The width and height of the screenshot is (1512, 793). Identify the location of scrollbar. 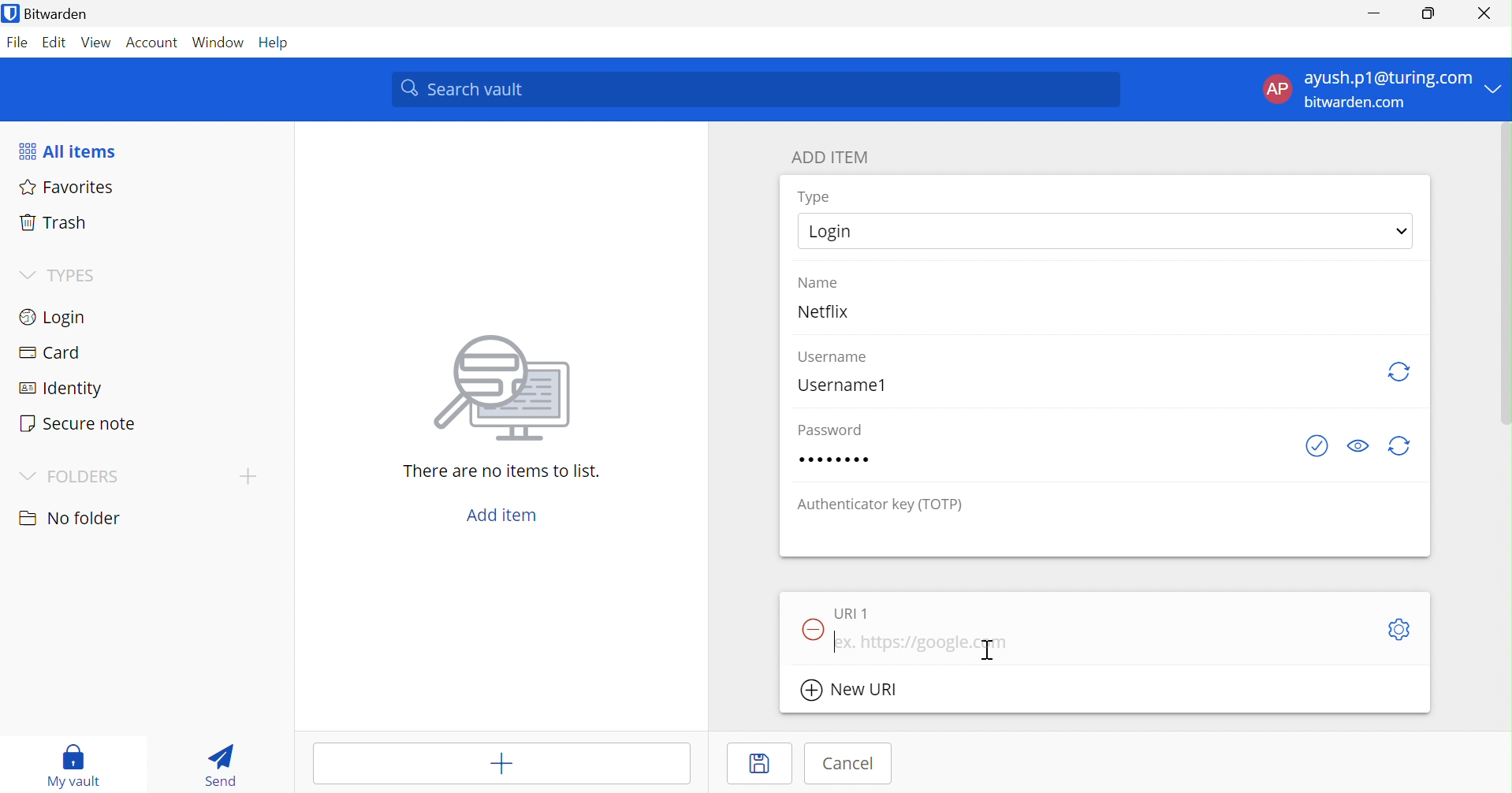
(1506, 273).